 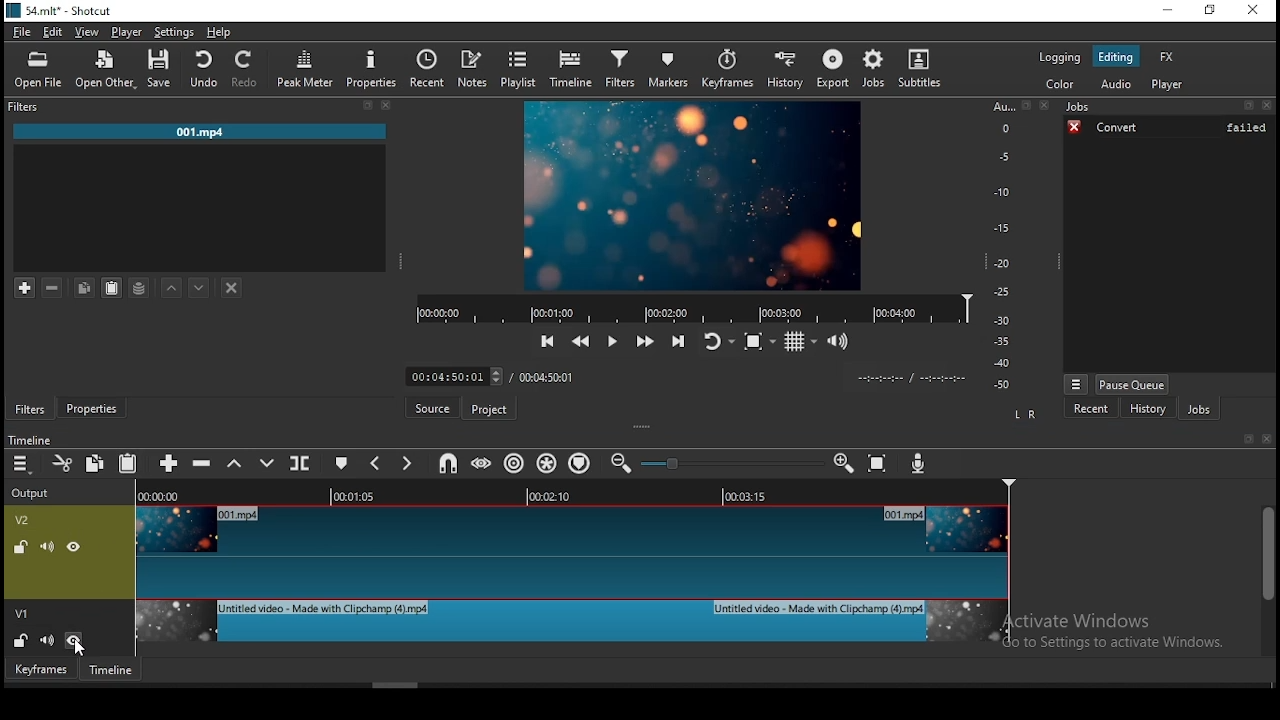 I want to click on split at playhead, so click(x=301, y=462).